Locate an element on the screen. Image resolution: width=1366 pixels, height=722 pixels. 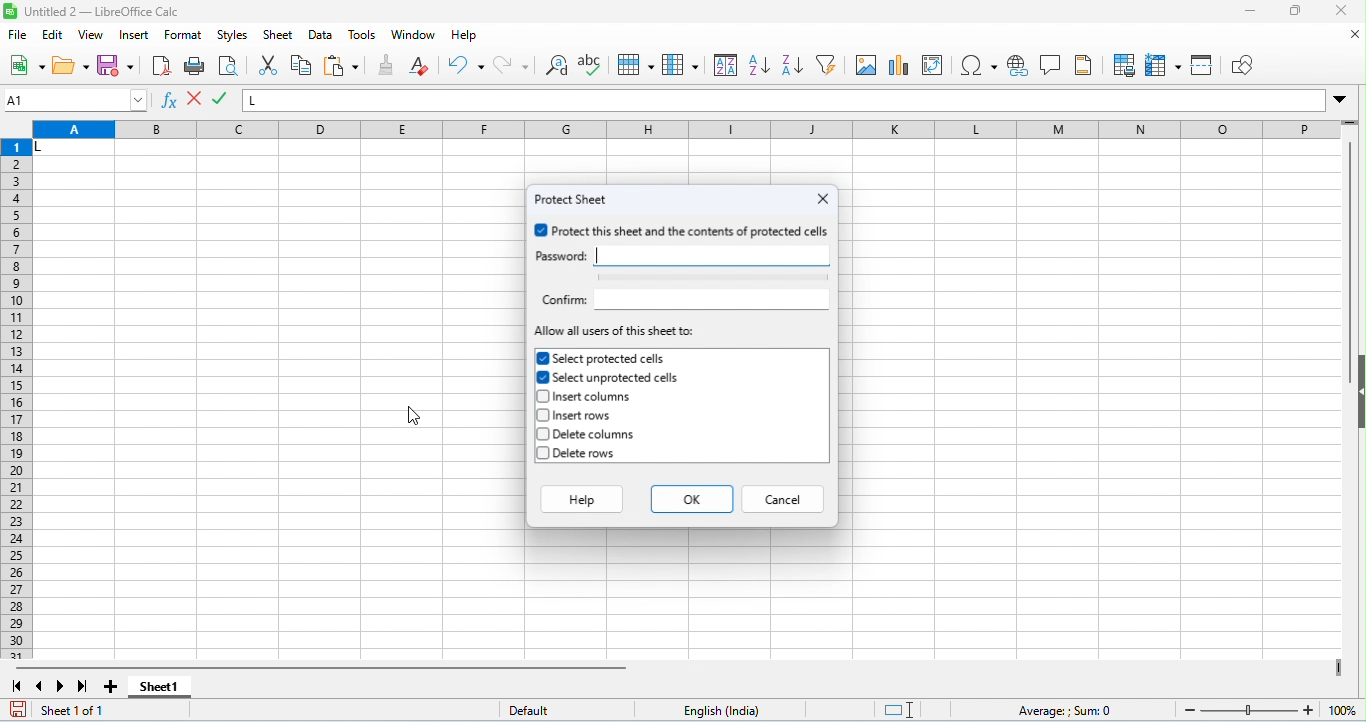
save is located at coordinates (116, 65).